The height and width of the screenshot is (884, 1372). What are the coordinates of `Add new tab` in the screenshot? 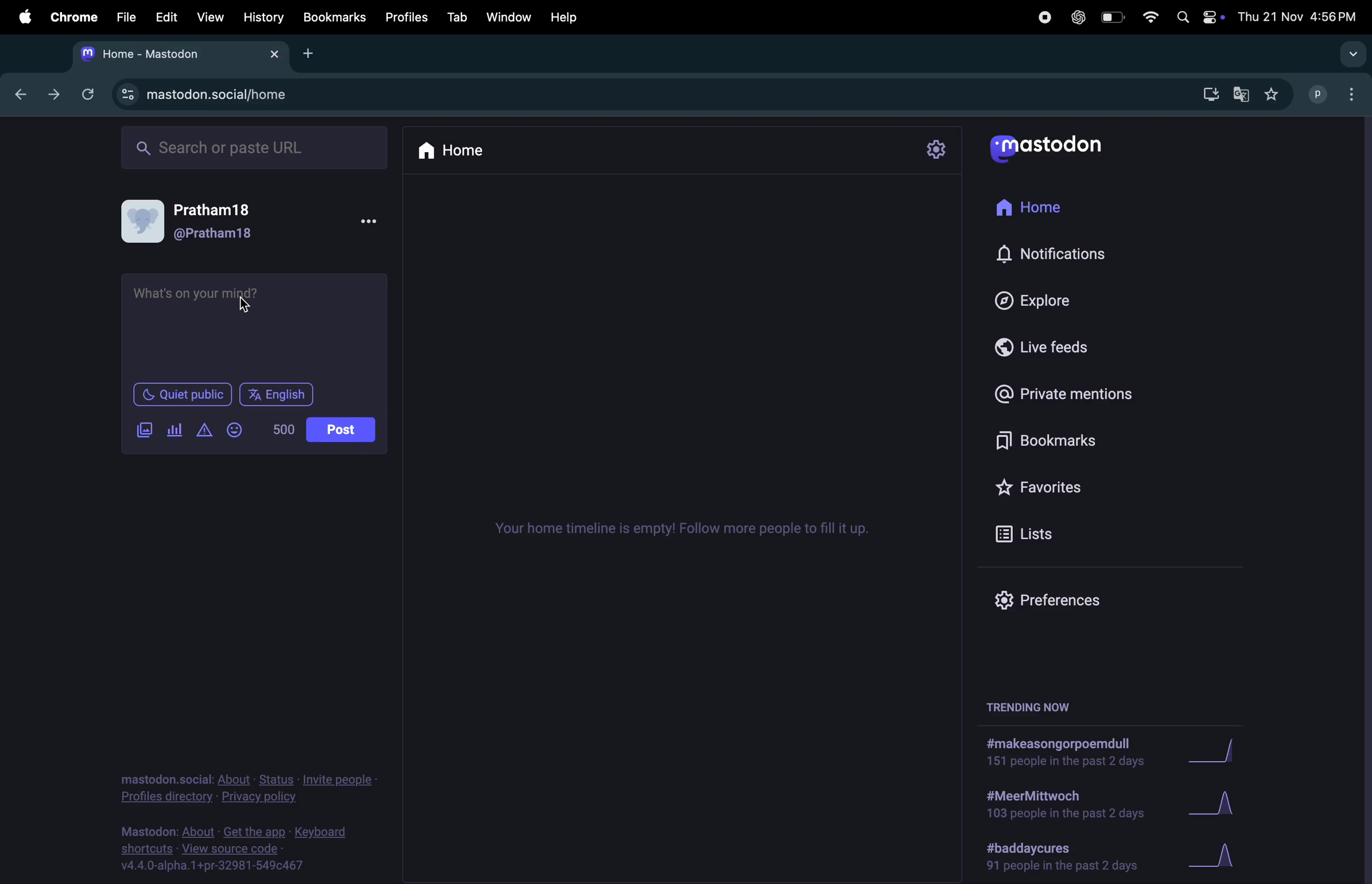 It's located at (309, 53).